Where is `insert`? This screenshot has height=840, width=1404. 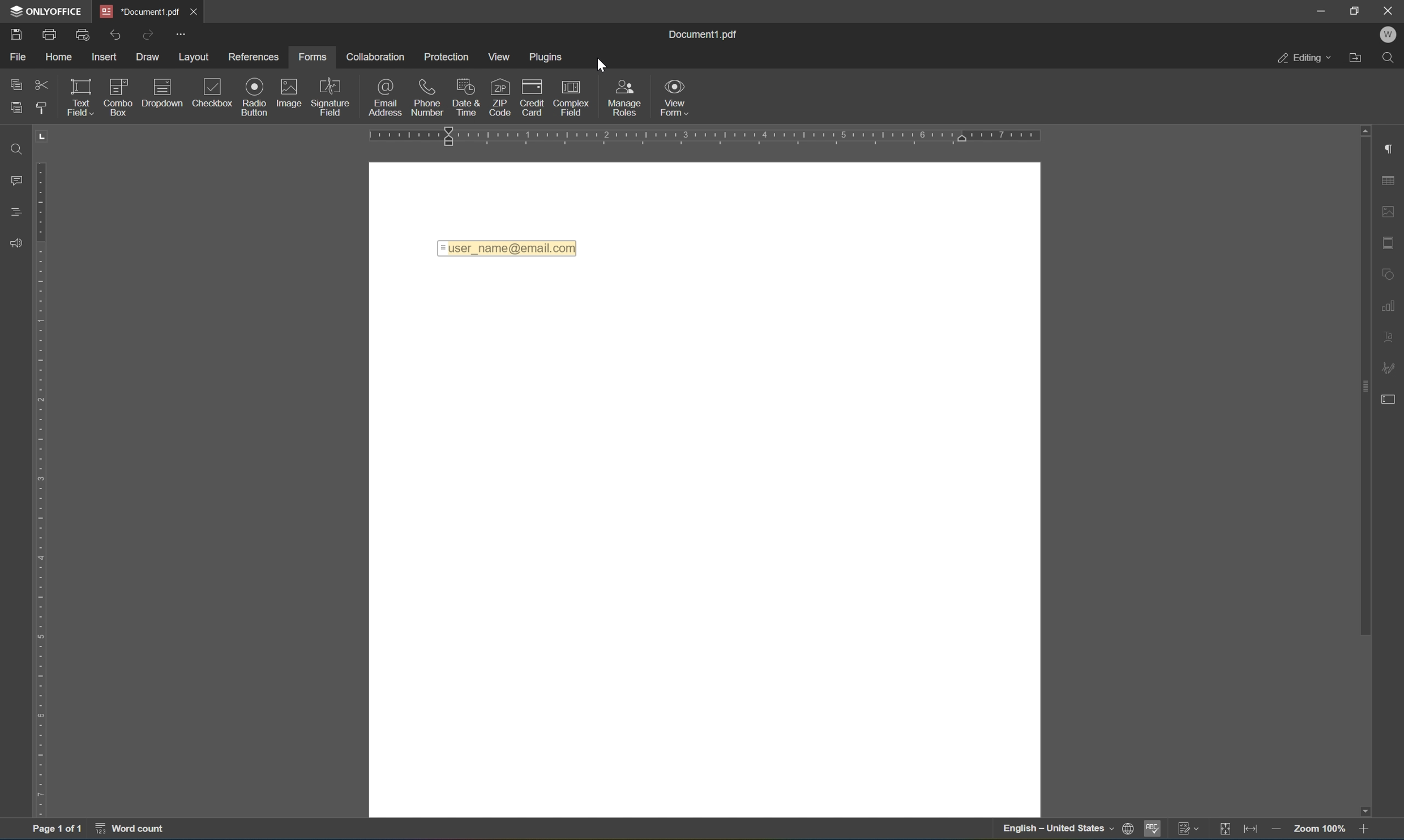
insert is located at coordinates (104, 58).